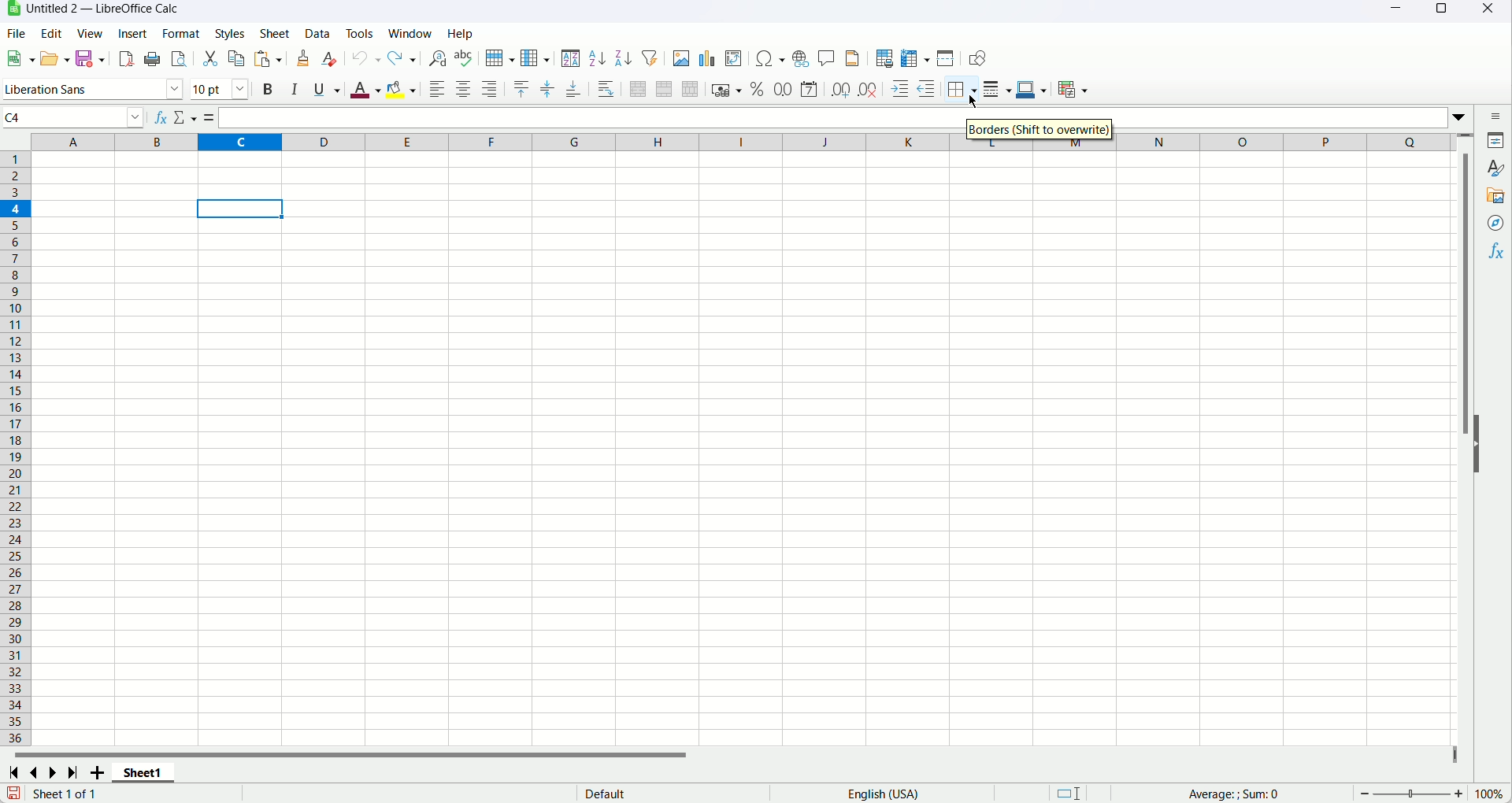  What do you see at coordinates (1067, 793) in the screenshot?
I see `Standard selection` at bounding box center [1067, 793].